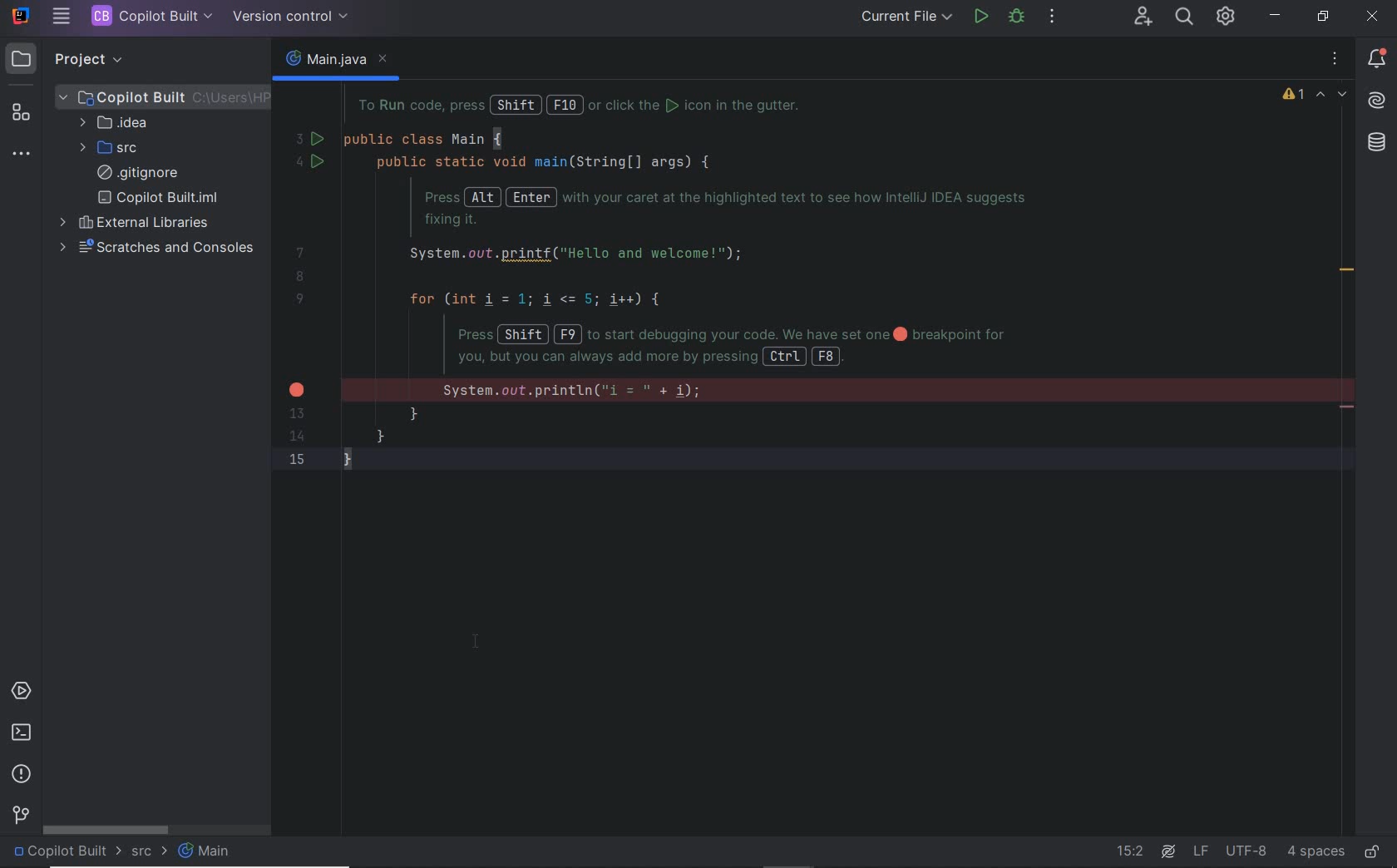 Image resolution: width=1397 pixels, height=868 pixels. What do you see at coordinates (134, 174) in the screenshot?
I see `.gitignore` at bounding box center [134, 174].